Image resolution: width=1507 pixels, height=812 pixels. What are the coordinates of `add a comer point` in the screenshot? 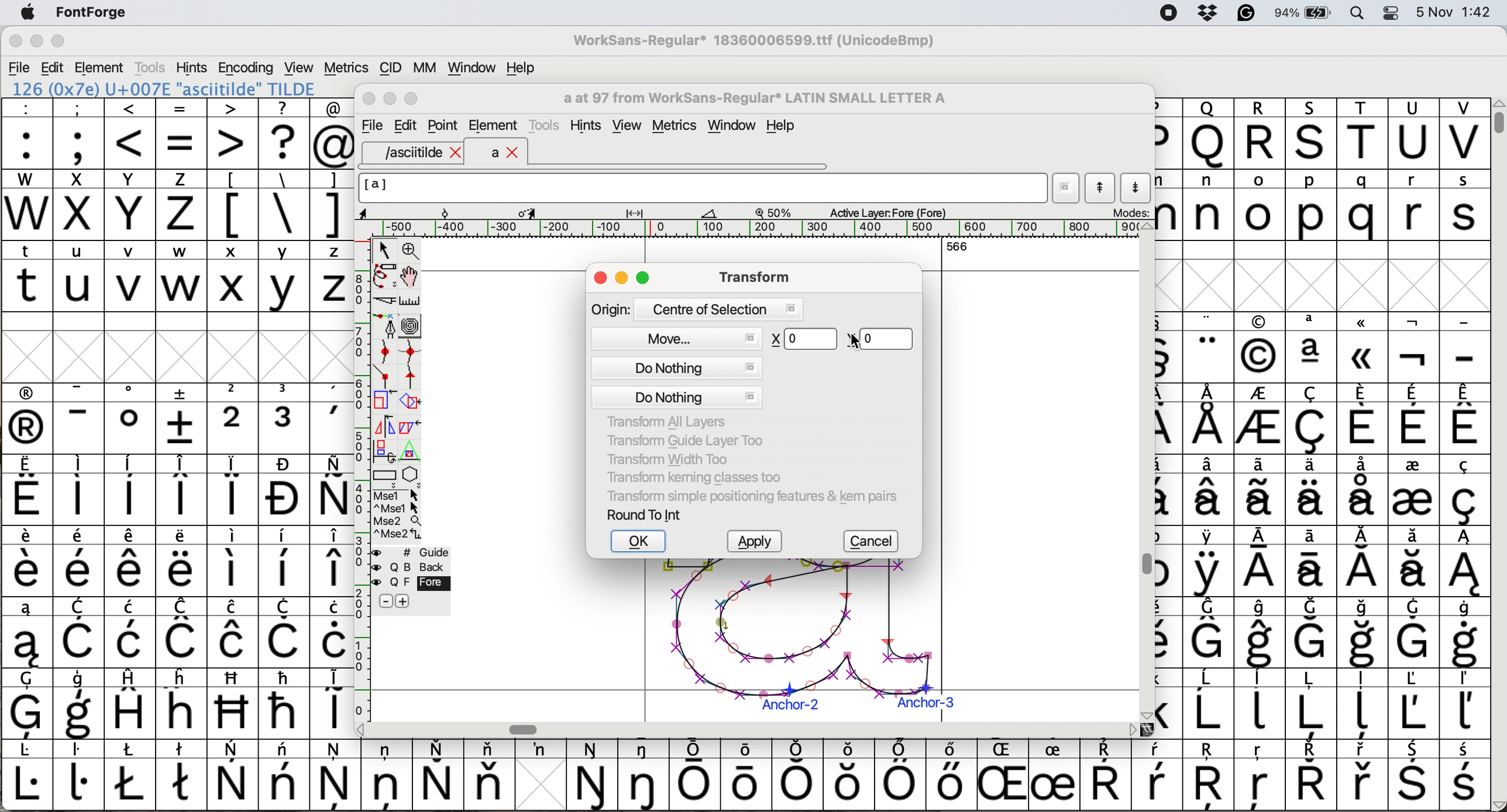 It's located at (386, 376).